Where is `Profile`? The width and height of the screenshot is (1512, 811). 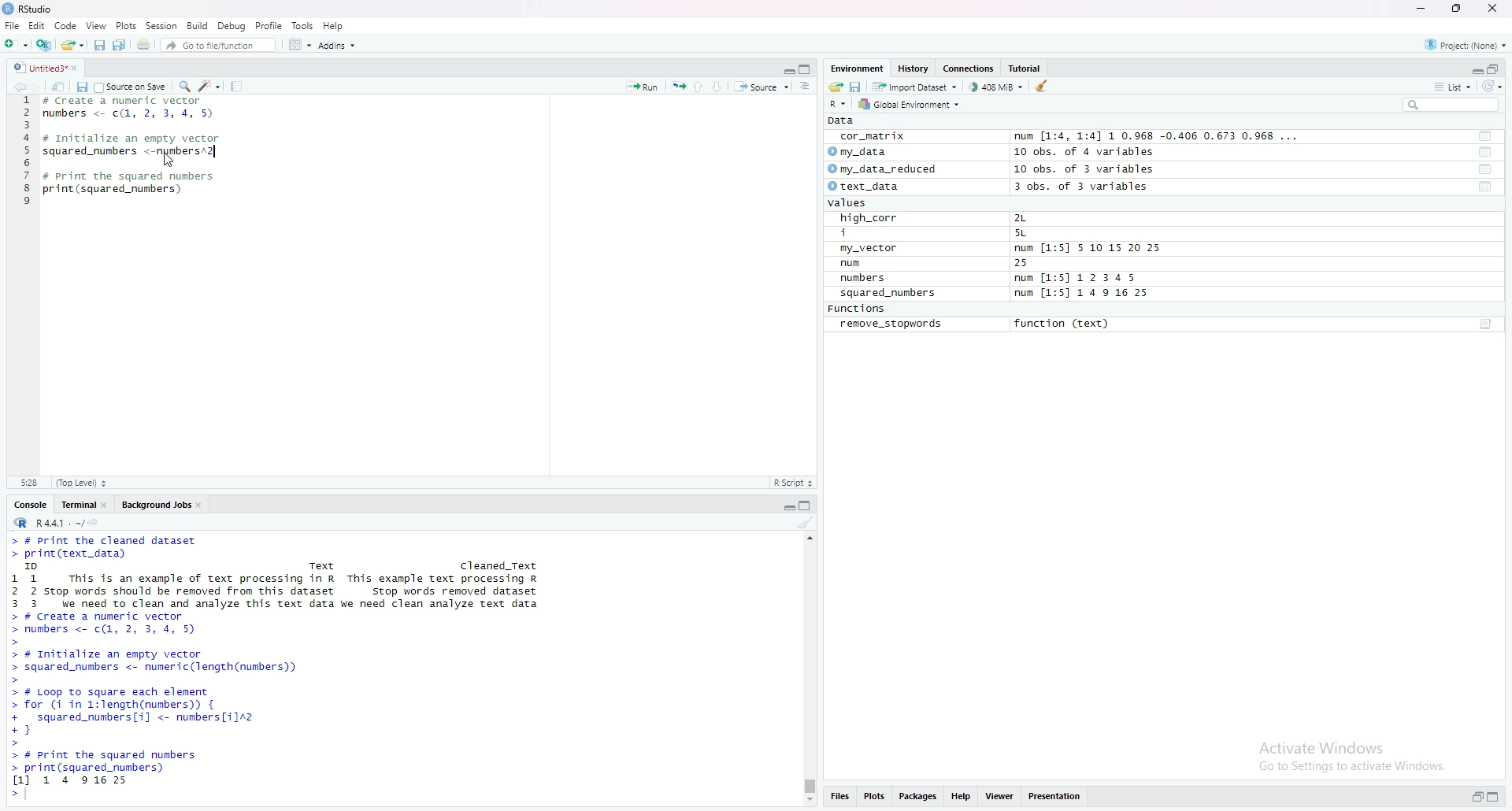 Profile is located at coordinates (269, 25).